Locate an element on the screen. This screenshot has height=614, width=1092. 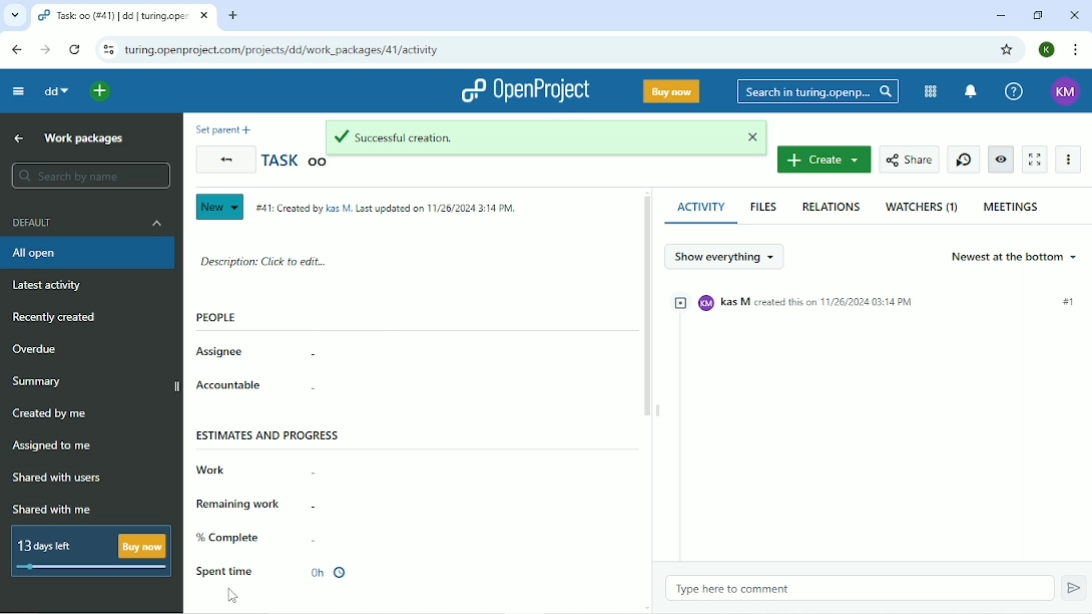
Bookmark this tab is located at coordinates (1007, 50).